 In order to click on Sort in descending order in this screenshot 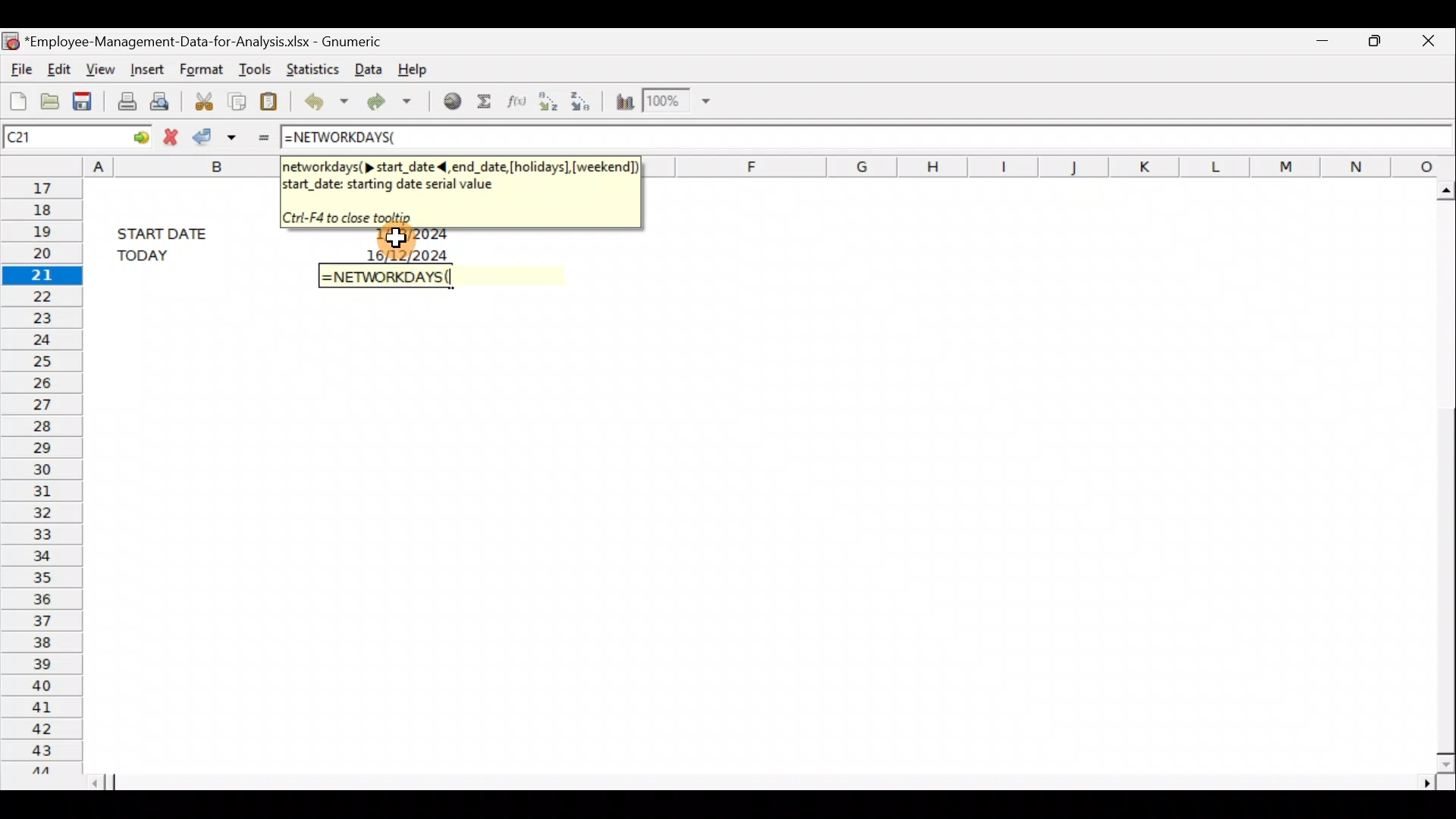, I will do `click(584, 101)`.